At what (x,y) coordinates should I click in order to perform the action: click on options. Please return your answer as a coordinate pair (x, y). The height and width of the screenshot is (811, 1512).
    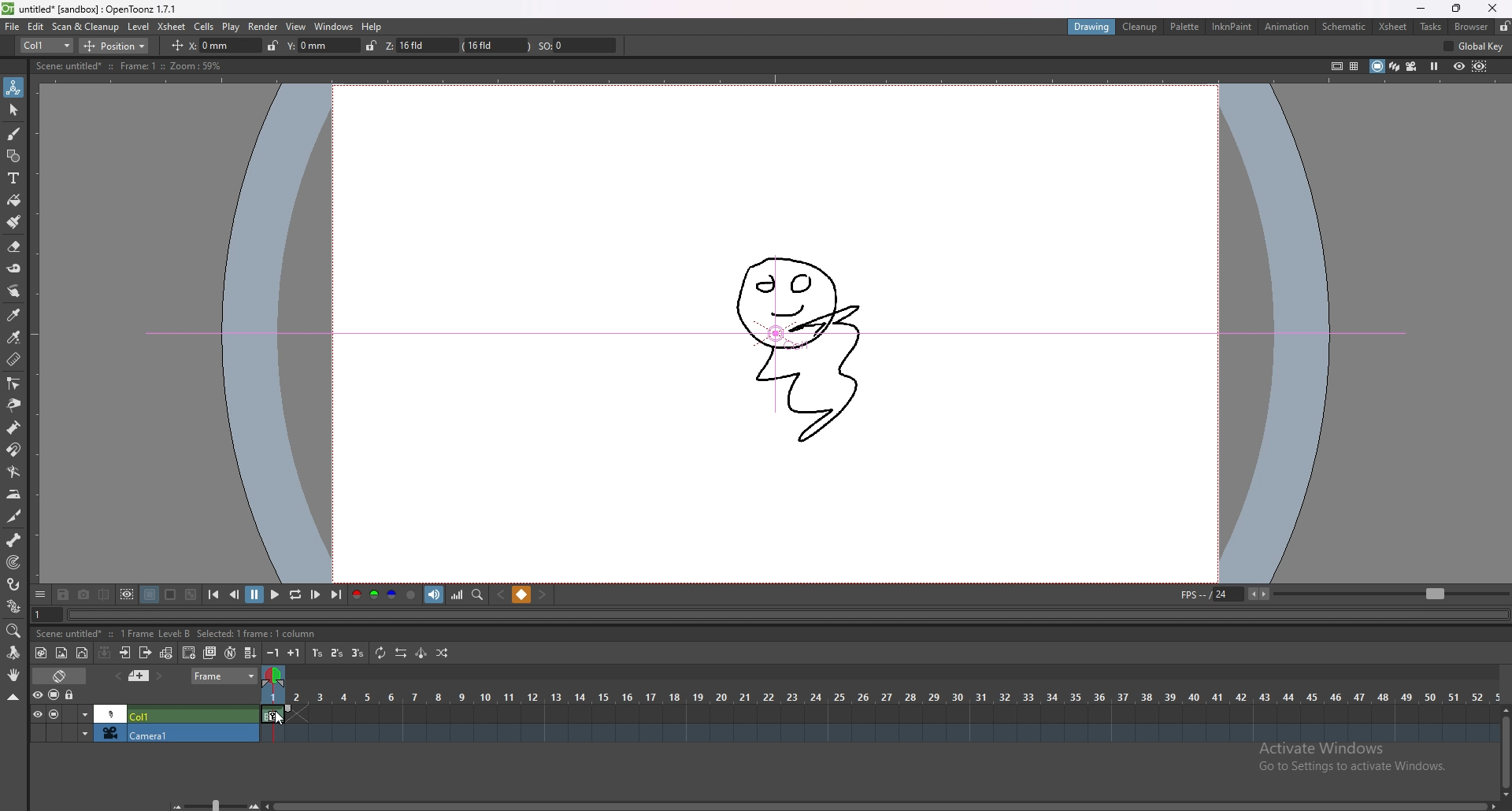
    Looking at the image, I should click on (41, 593).